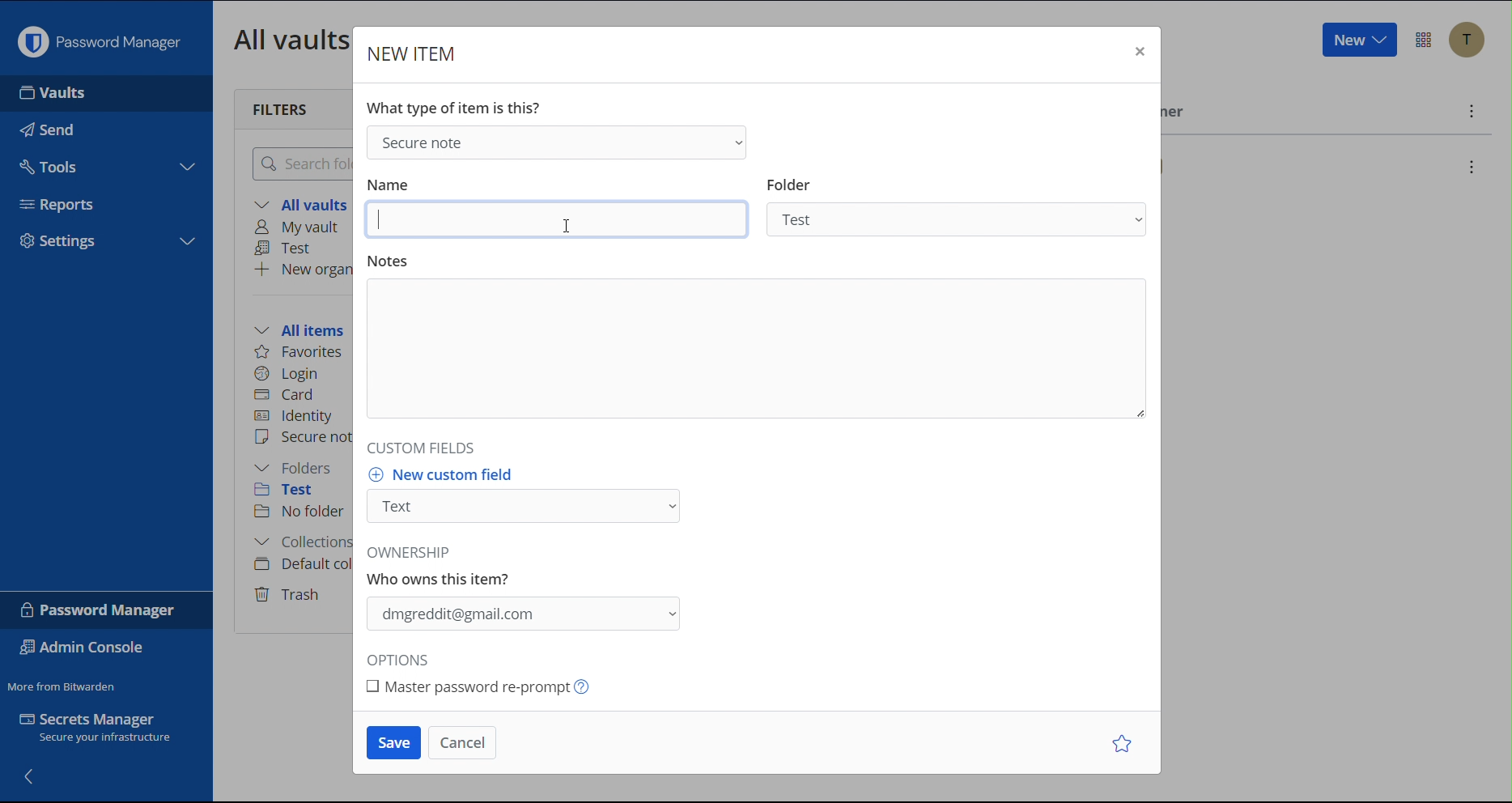 The height and width of the screenshot is (803, 1512). Describe the element at coordinates (300, 352) in the screenshot. I see `Favorites` at that location.